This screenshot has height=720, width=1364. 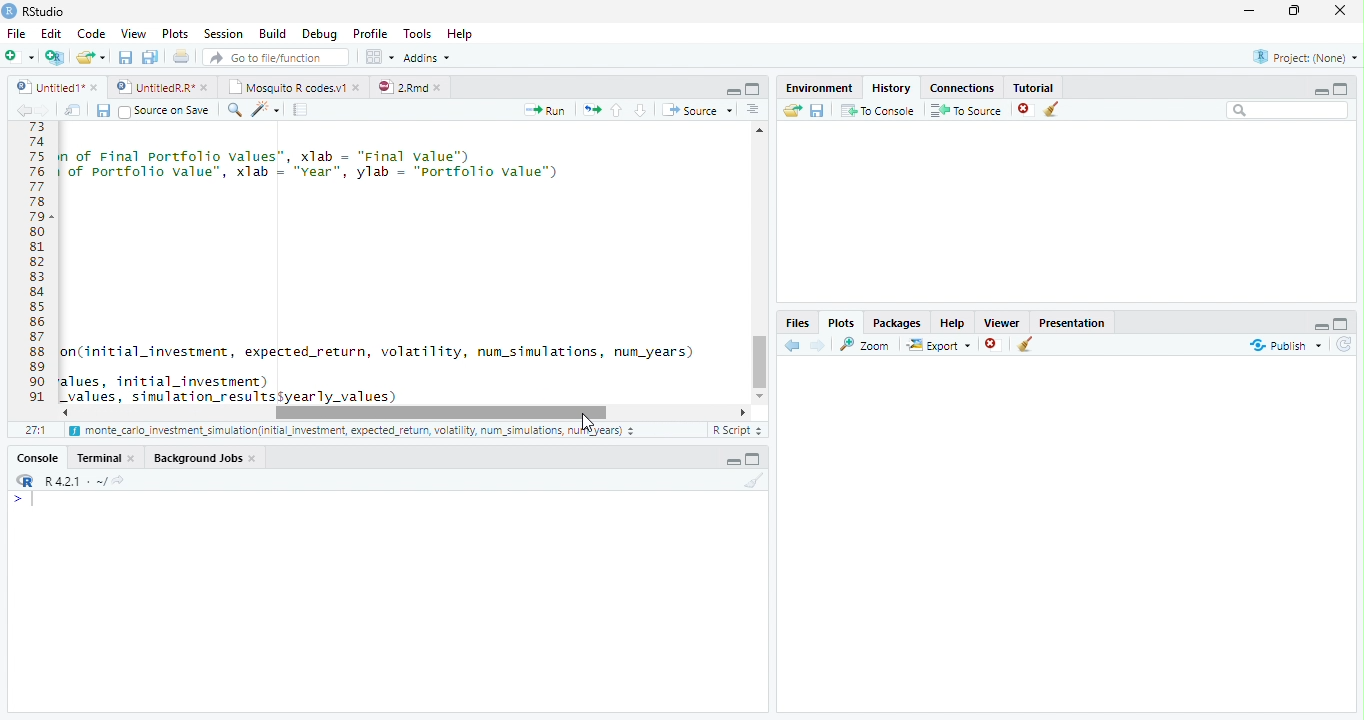 I want to click on Go to previous section of code, so click(x=617, y=112).